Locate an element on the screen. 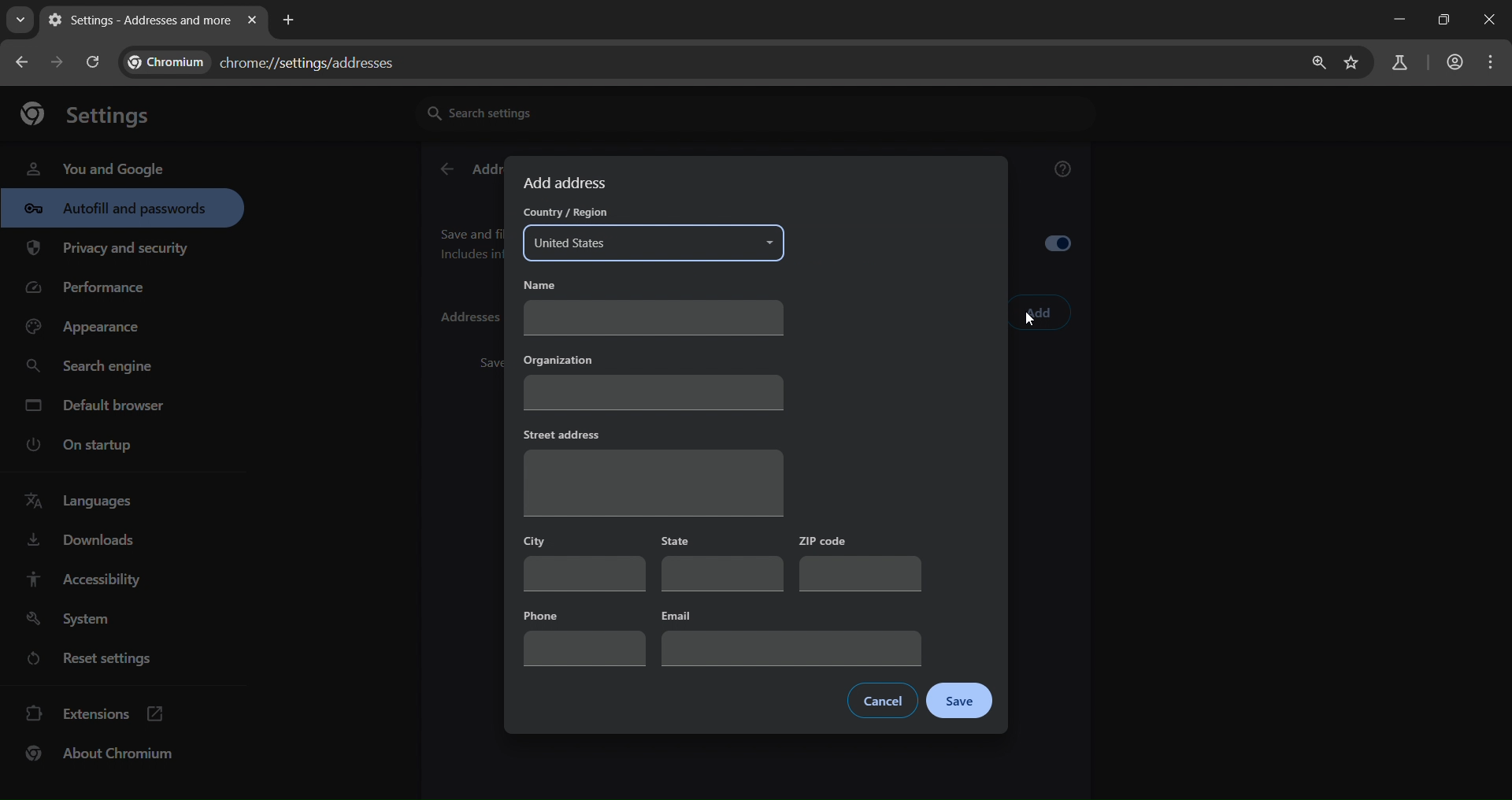 The height and width of the screenshot is (800, 1512). phone is located at coordinates (584, 635).